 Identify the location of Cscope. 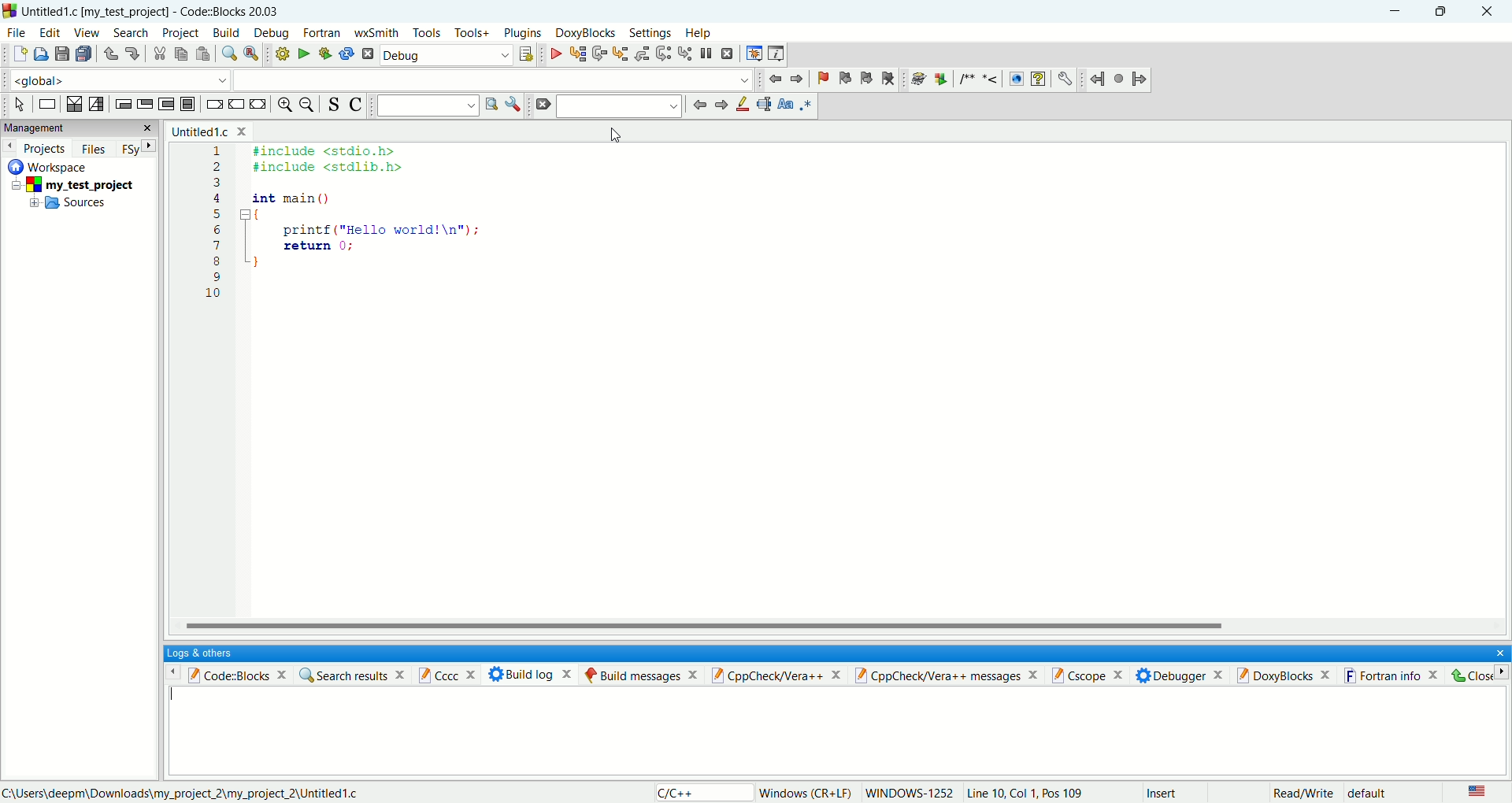
(1093, 675).